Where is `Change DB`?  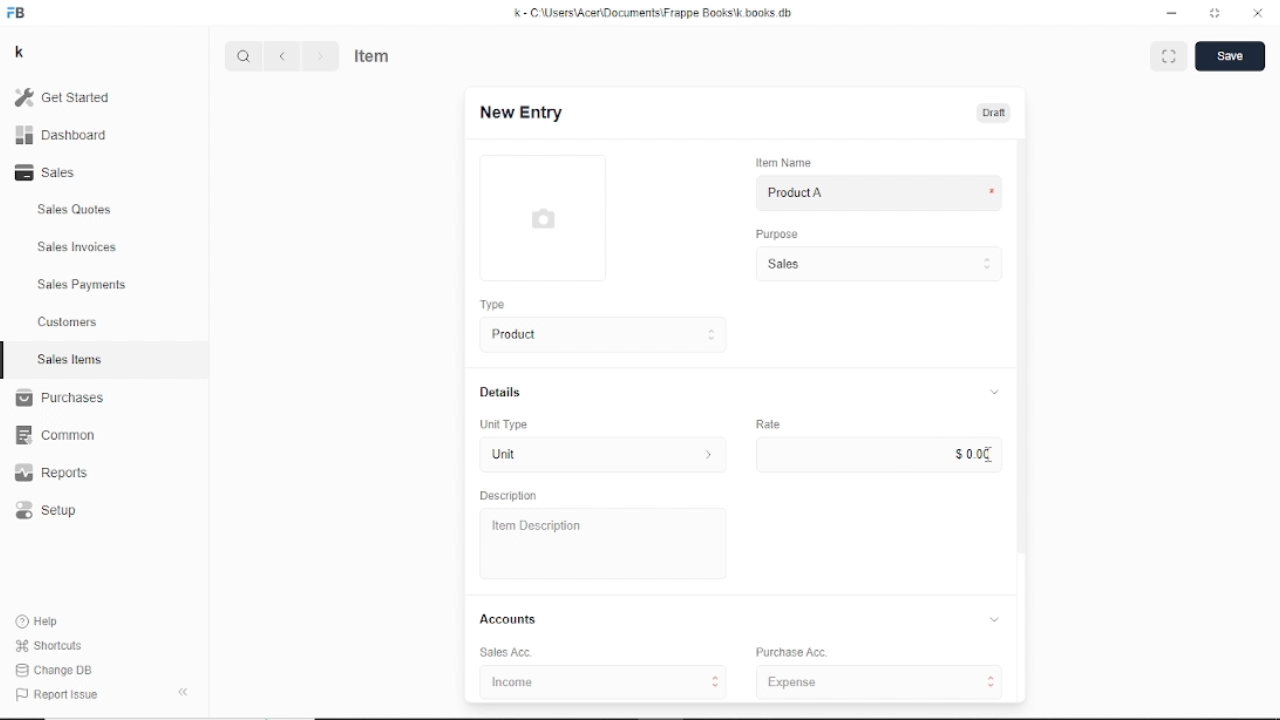
Change DB is located at coordinates (57, 671).